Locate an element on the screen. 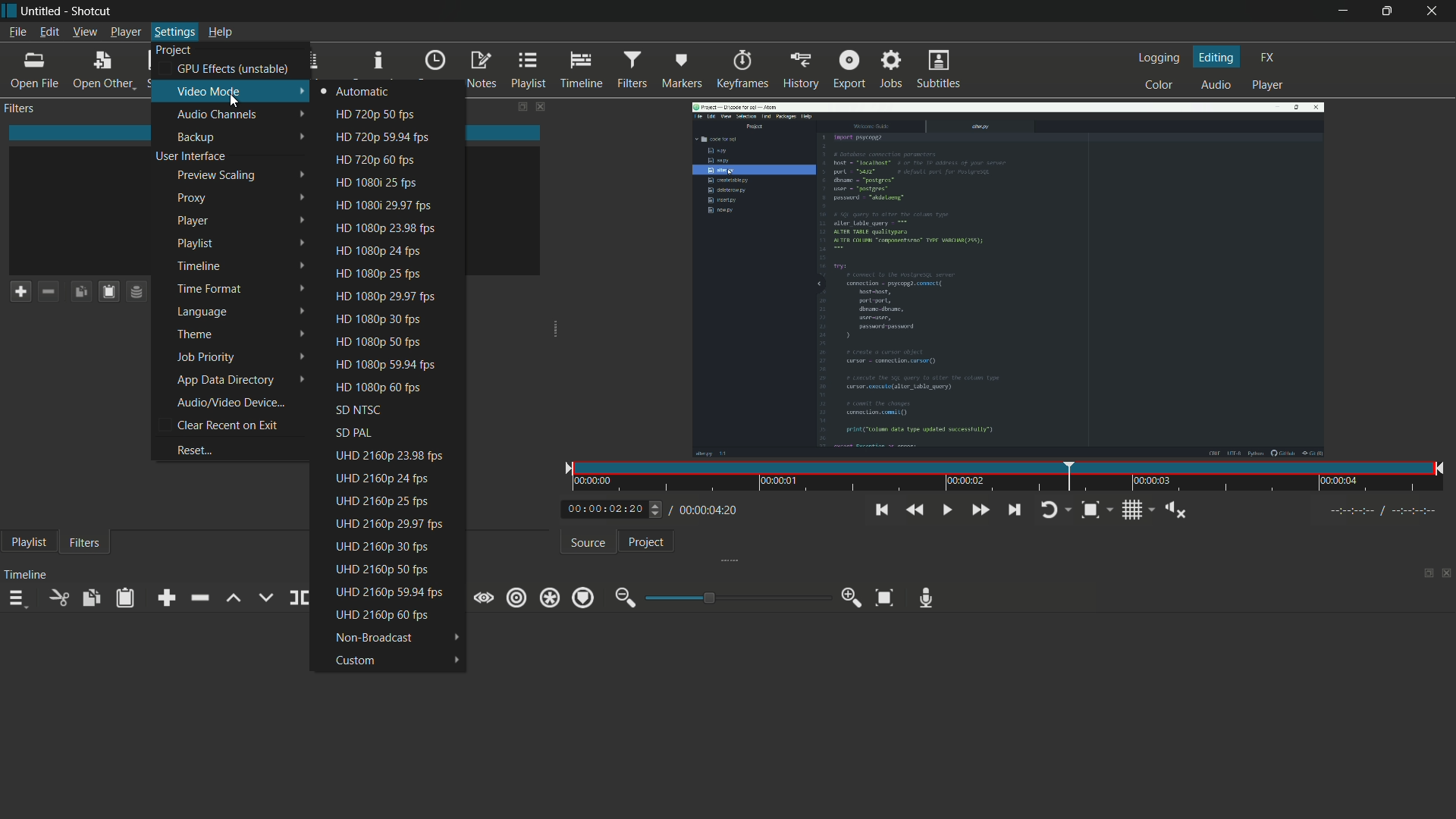 Image resolution: width=1456 pixels, height=819 pixels. split at playhead is located at coordinates (298, 597).